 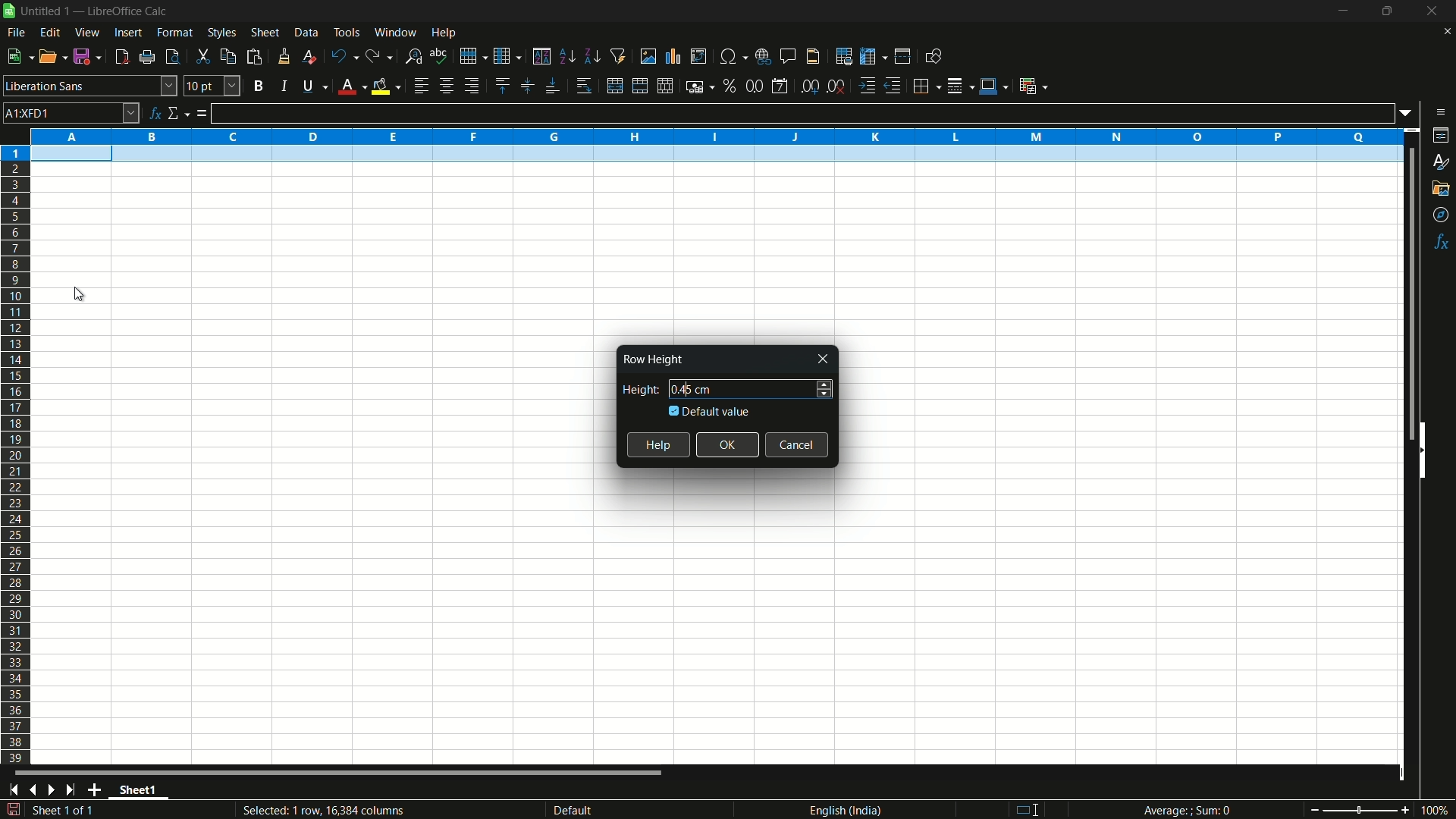 I want to click on sort ascending, so click(x=566, y=57).